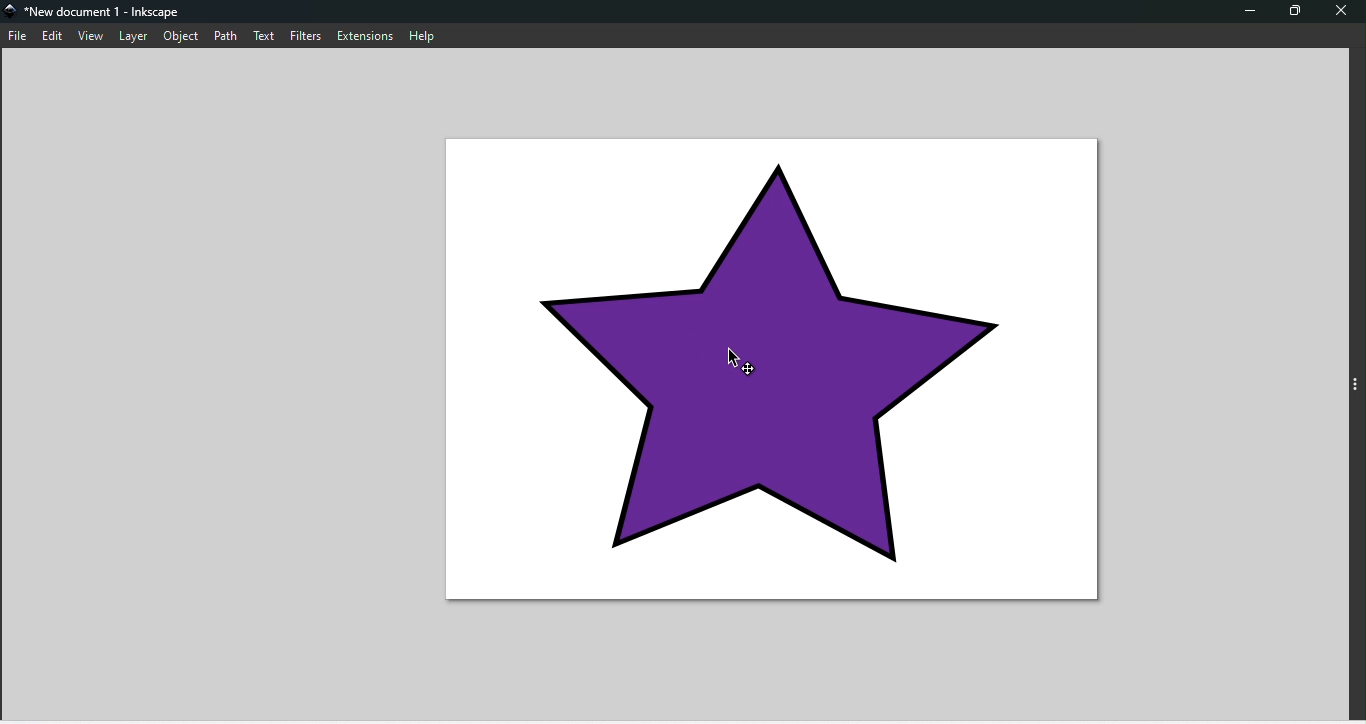  Describe the element at coordinates (227, 36) in the screenshot. I see `Path` at that location.